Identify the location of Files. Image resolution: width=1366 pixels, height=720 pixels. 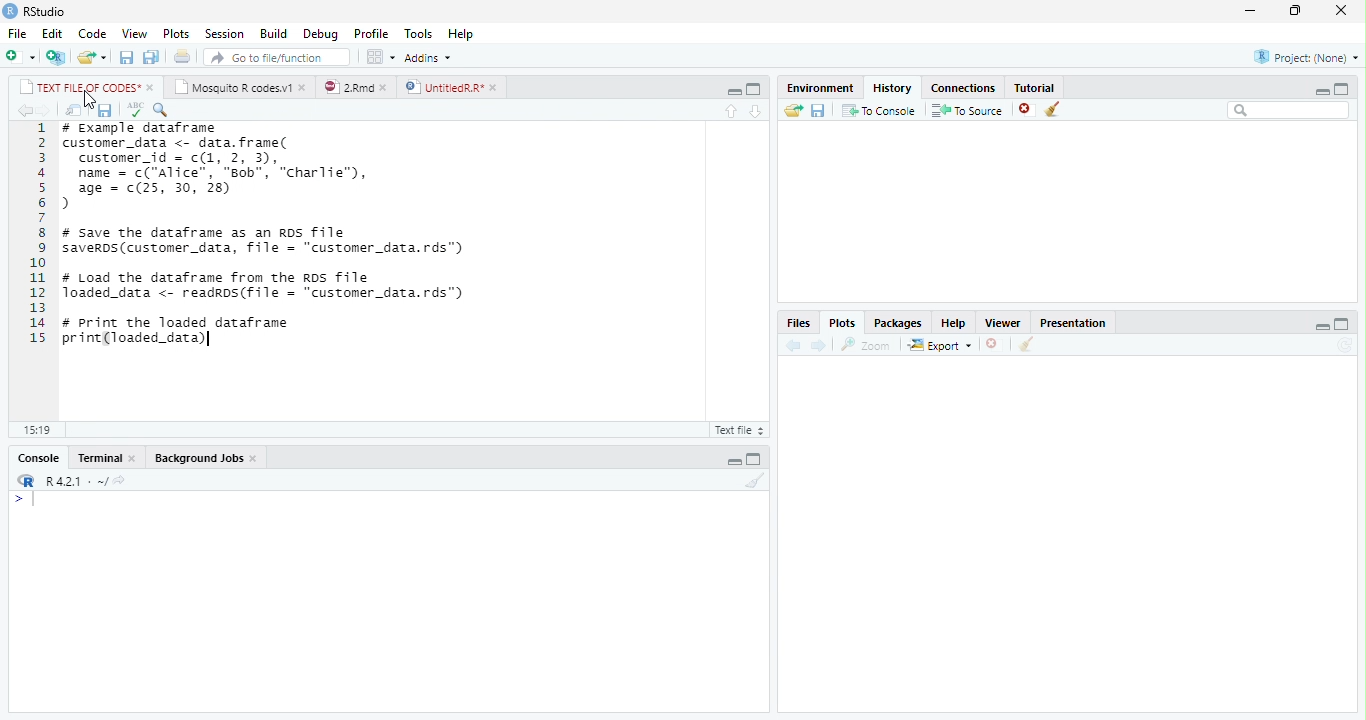
(798, 323).